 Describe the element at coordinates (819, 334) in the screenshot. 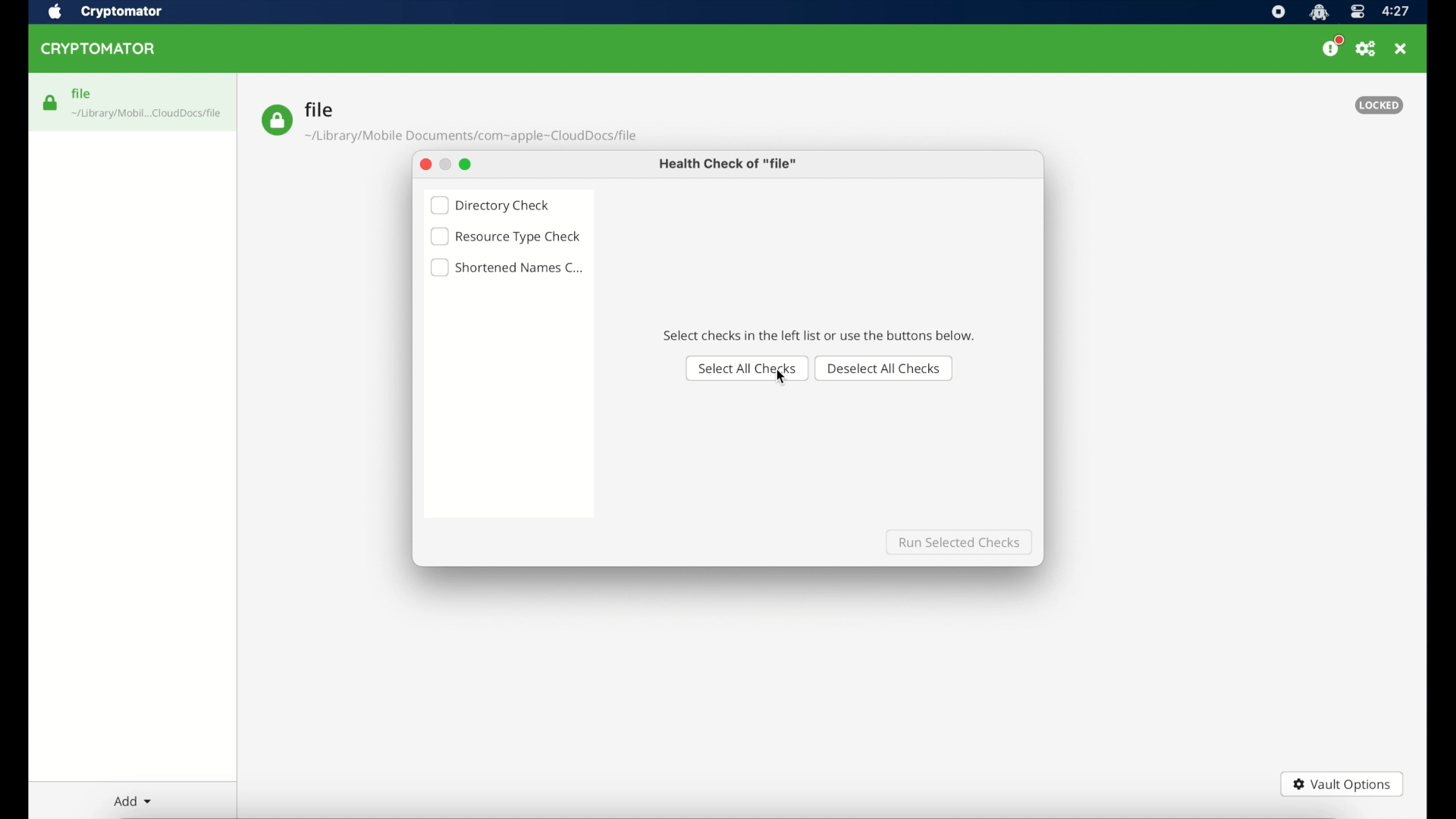

I see `Select checks in the left list or use the buttons below.` at that location.